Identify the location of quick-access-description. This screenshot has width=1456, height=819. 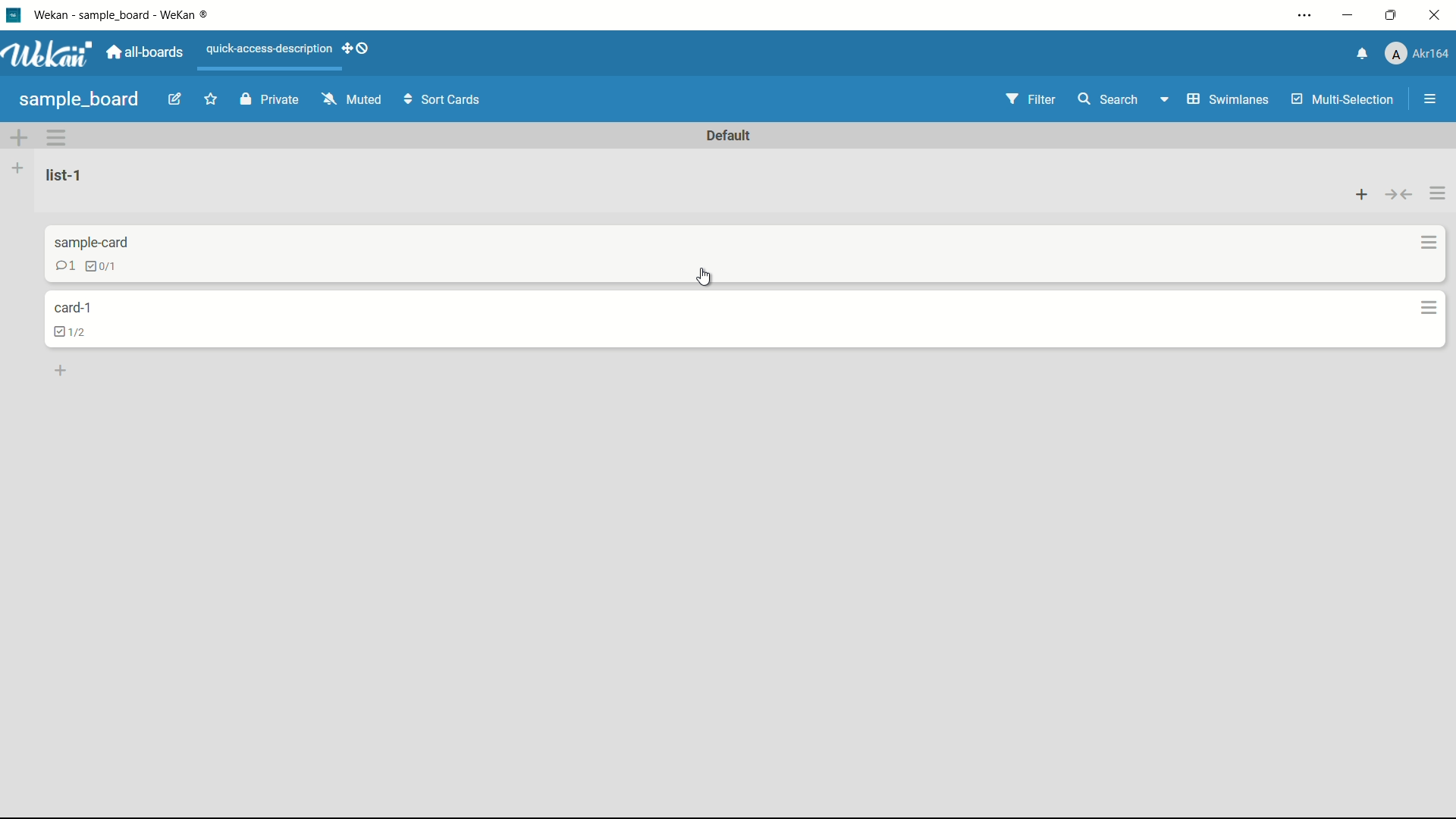
(269, 49).